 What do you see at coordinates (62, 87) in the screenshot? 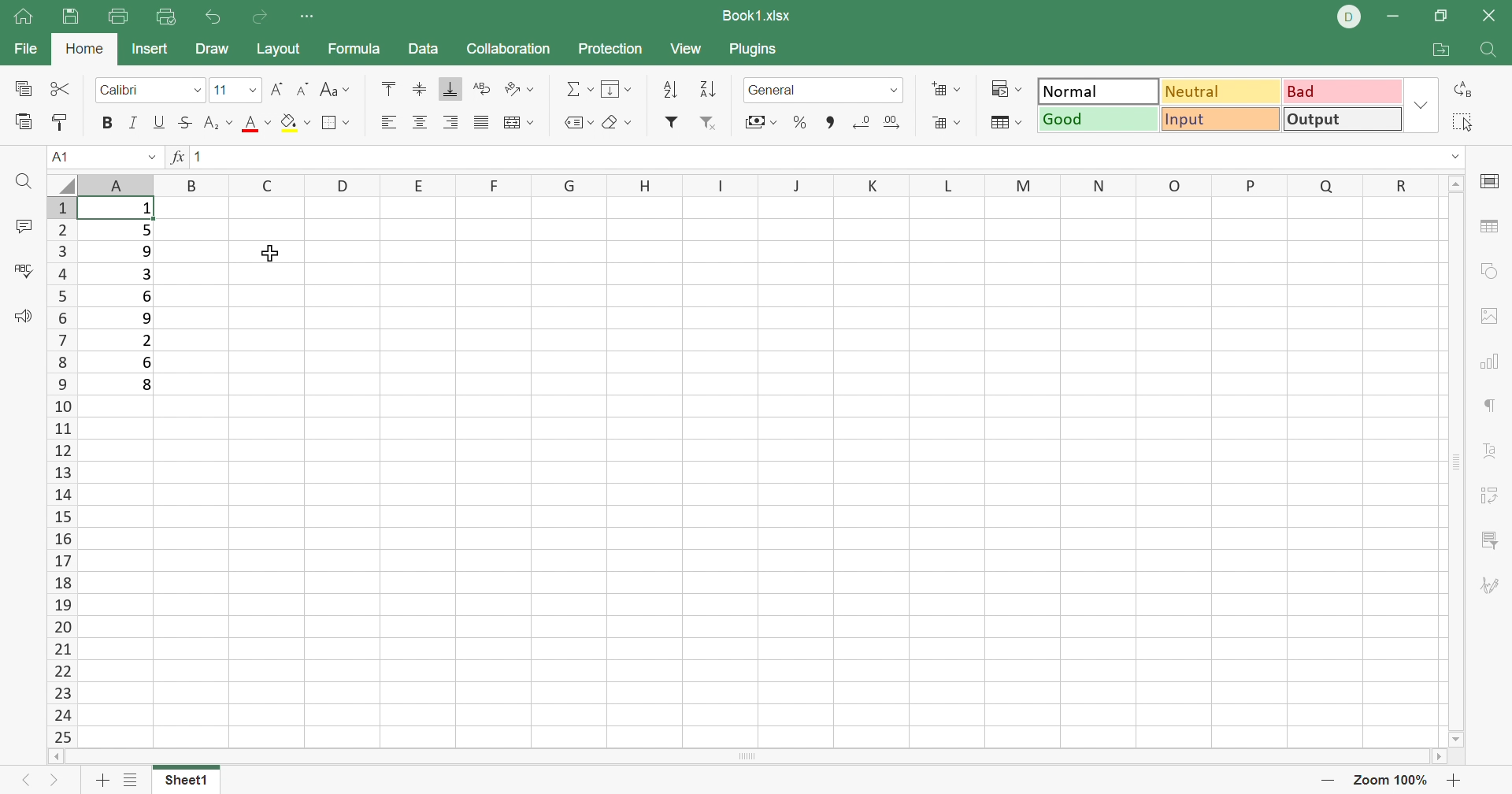
I see `Cut` at bounding box center [62, 87].